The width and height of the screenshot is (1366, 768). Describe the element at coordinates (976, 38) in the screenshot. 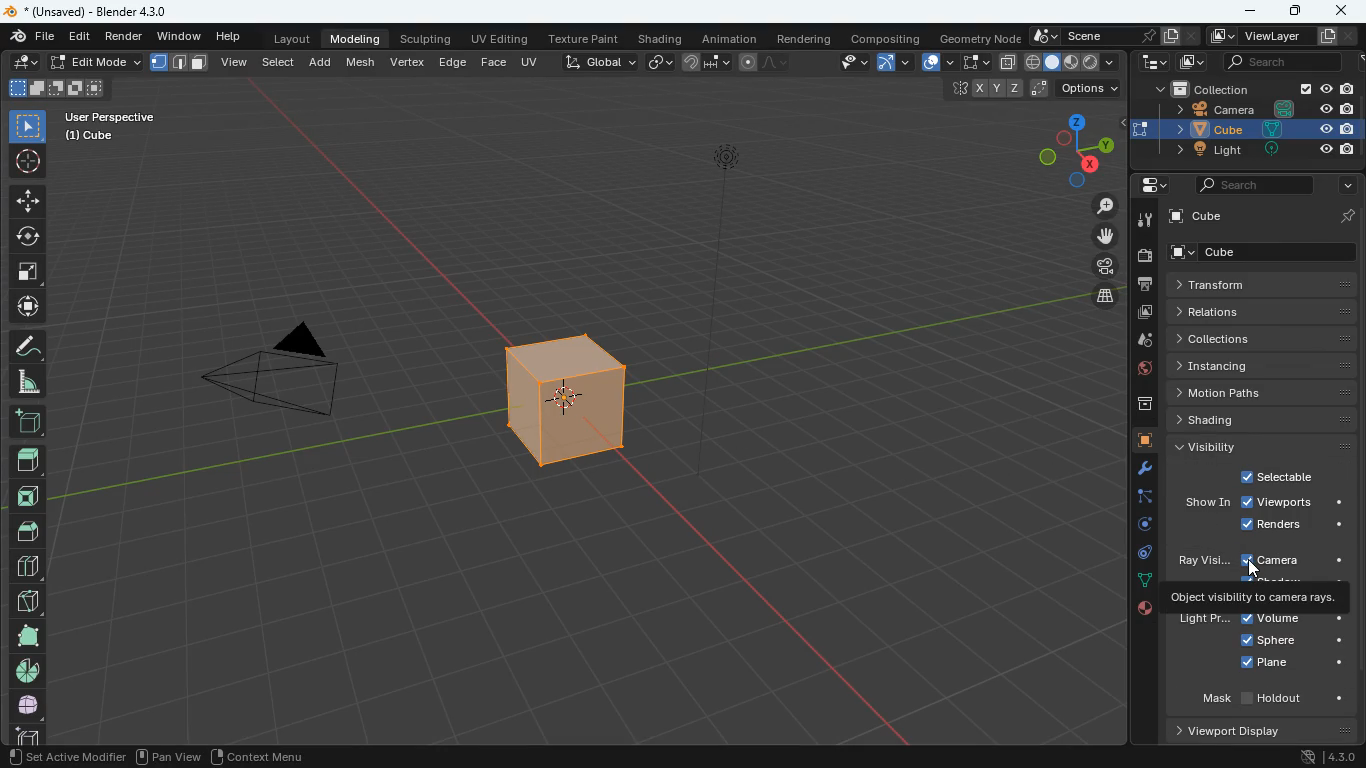

I see `geometry node` at that location.